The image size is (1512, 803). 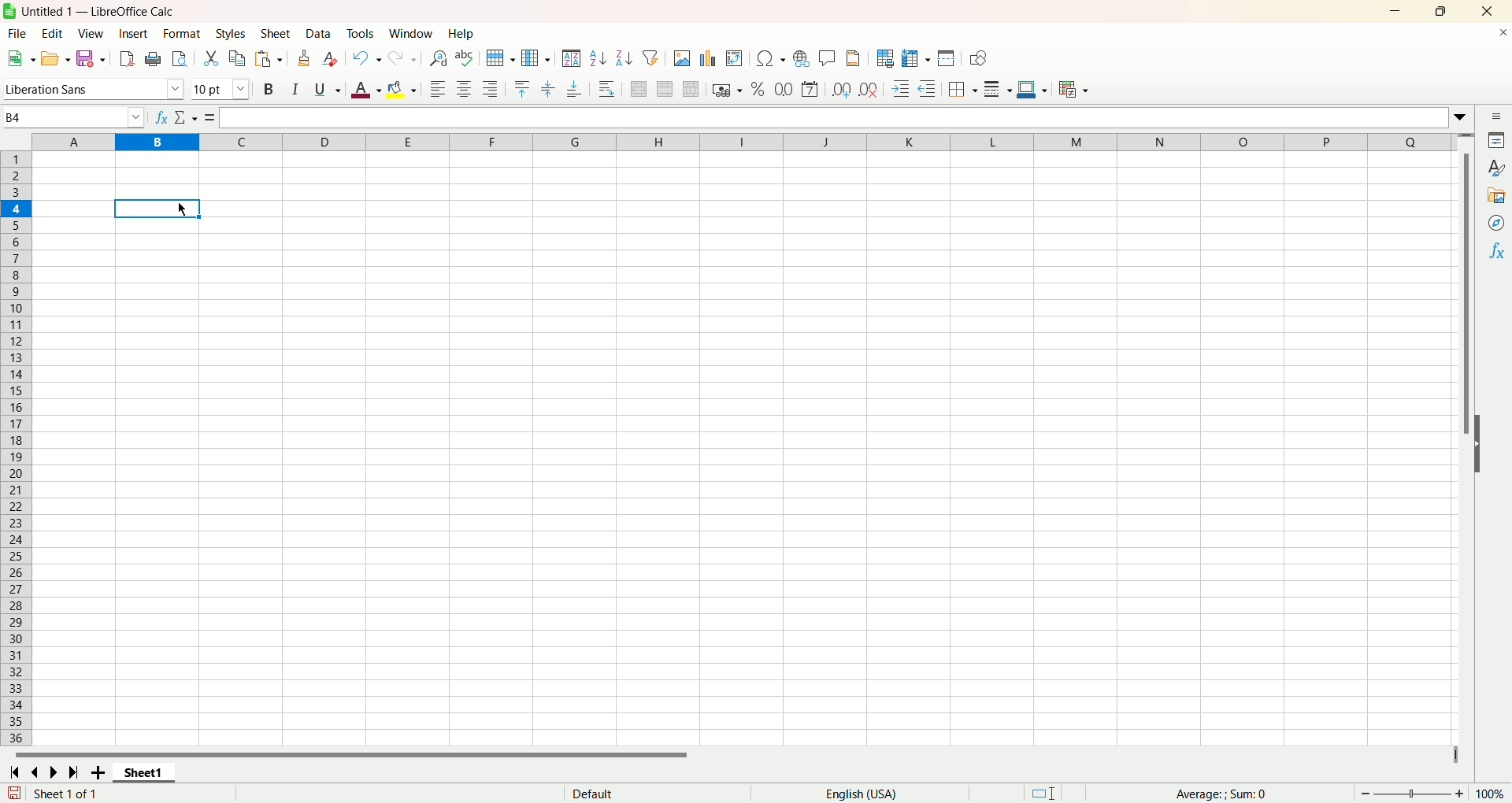 I want to click on sidebar settings, so click(x=1496, y=117).